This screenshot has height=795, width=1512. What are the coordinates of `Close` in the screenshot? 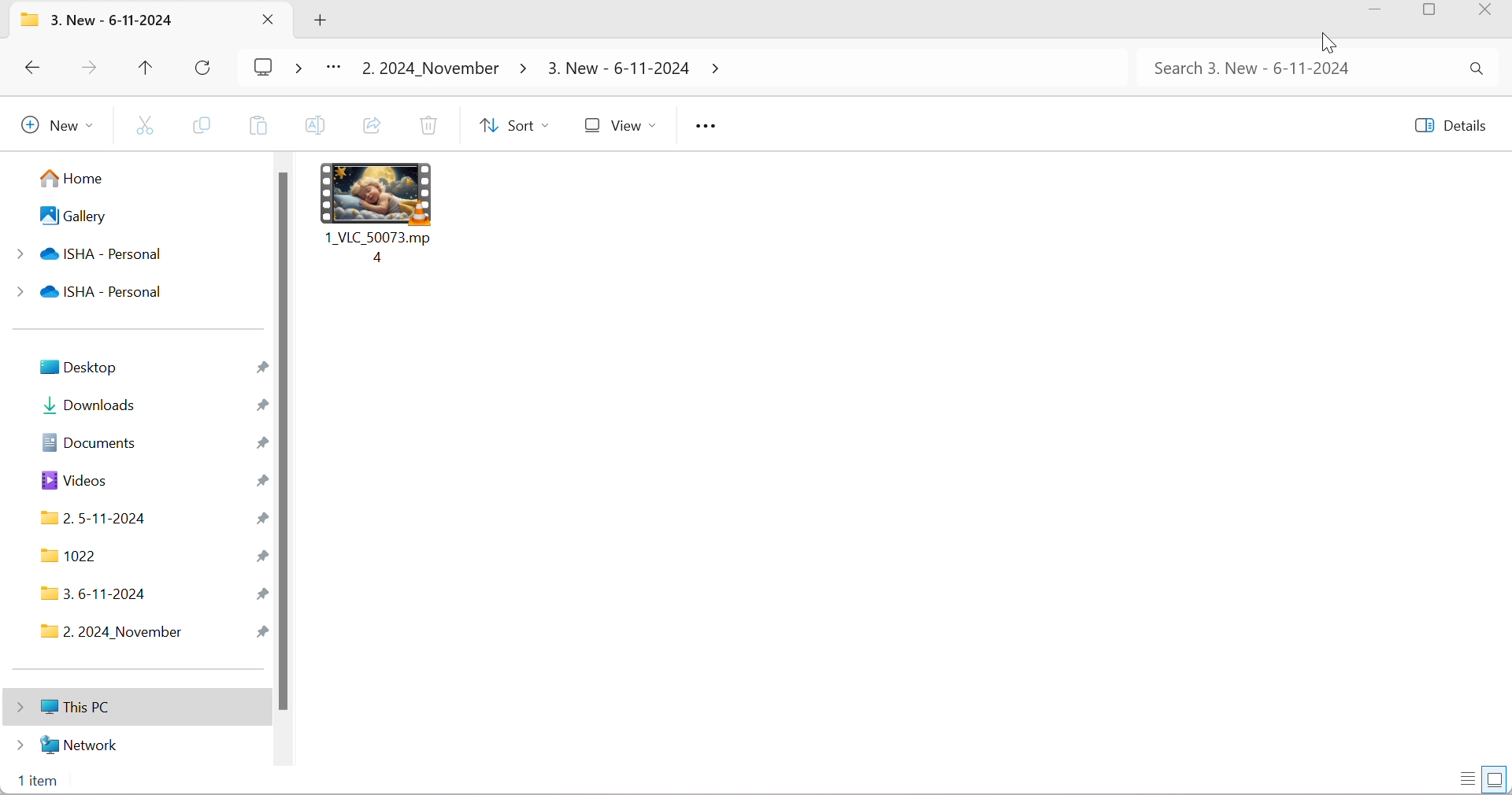 It's located at (1489, 11).